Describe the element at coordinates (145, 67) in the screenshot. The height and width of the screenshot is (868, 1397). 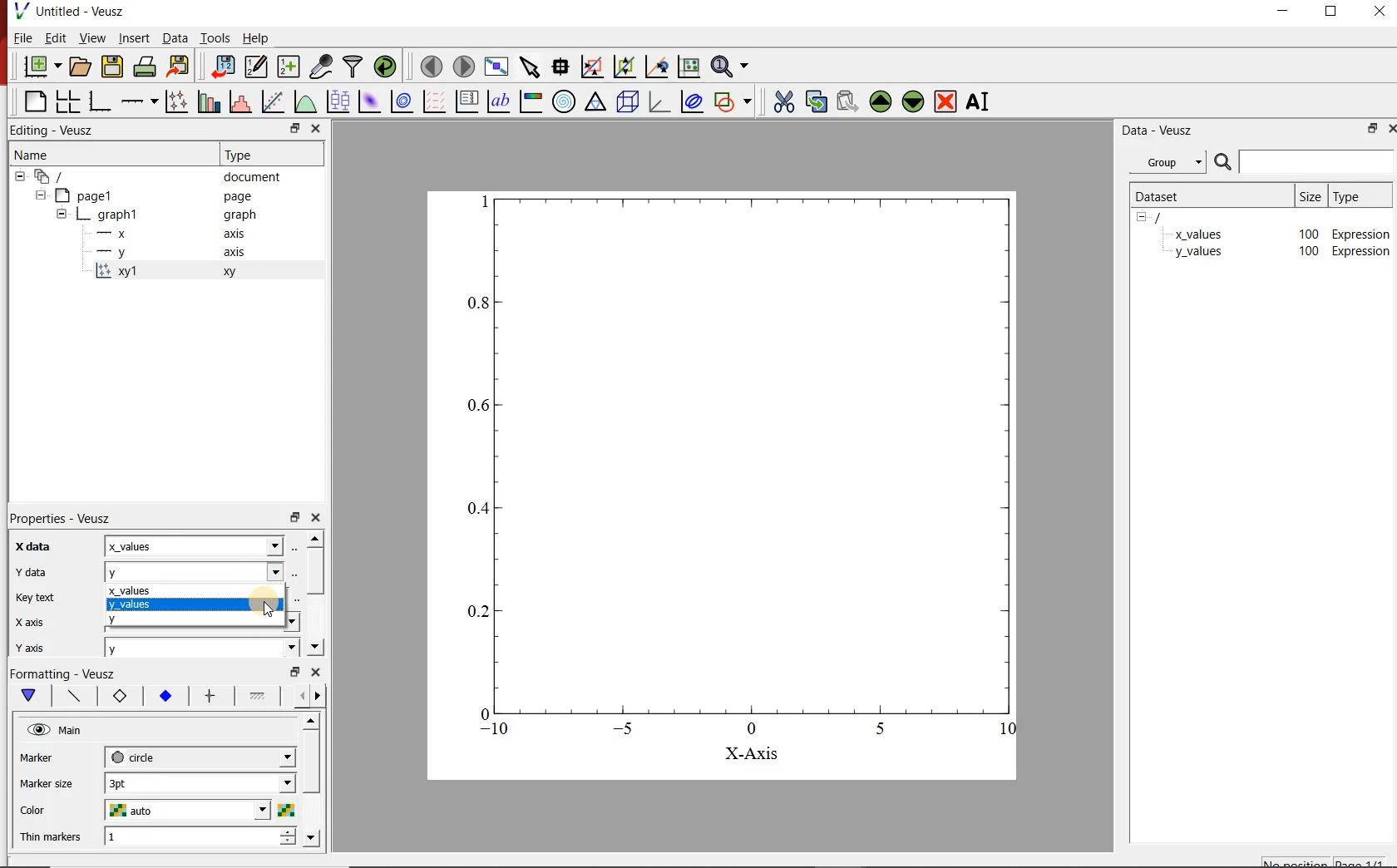
I see `print the documents` at that location.